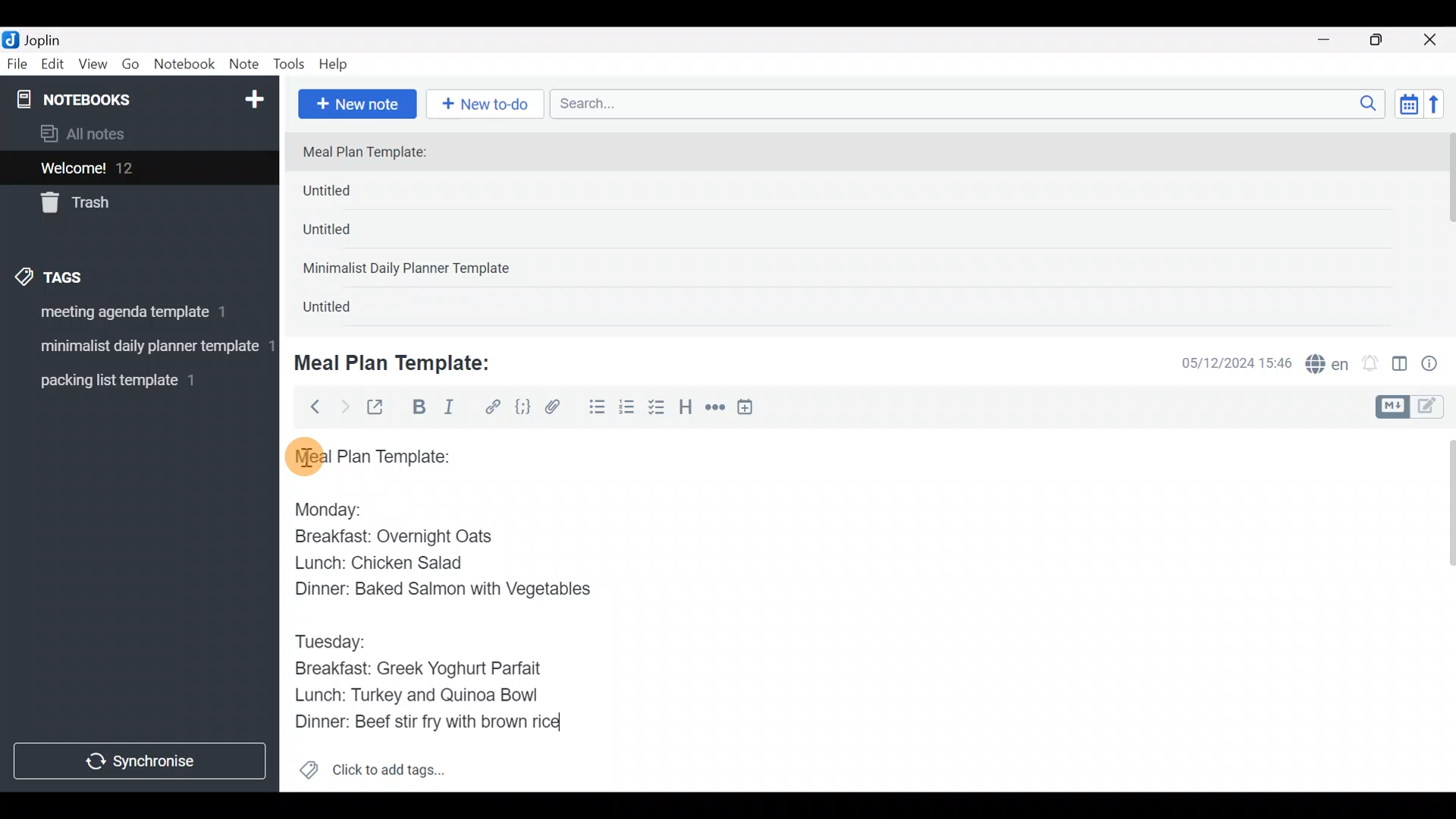  Describe the element at coordinates (130, 67) in the screenshot. I see `Go` at that location.